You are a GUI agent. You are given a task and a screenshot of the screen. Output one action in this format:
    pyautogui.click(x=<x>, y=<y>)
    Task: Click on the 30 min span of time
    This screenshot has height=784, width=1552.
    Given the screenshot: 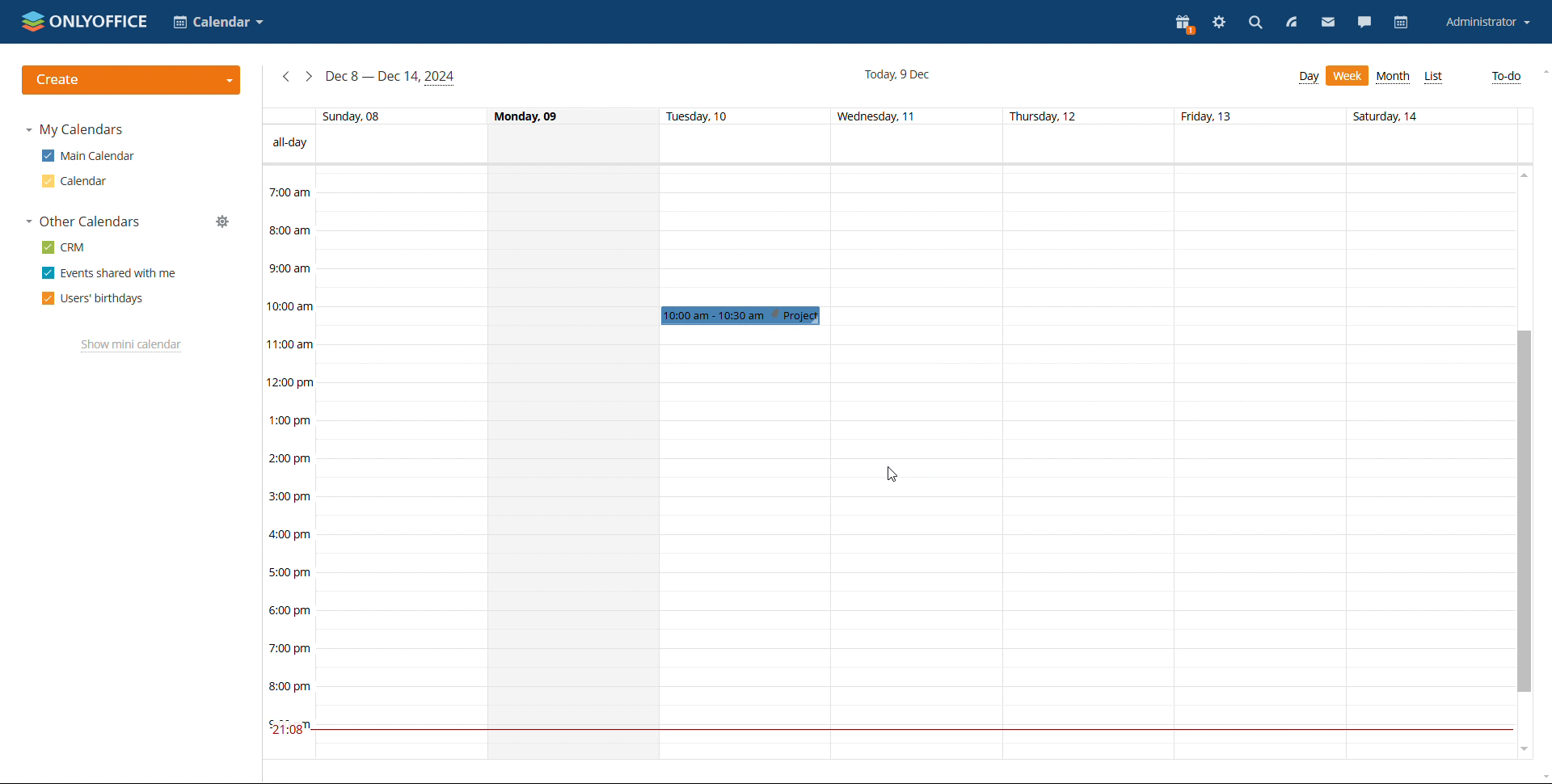 What is the action you would take?
    pyautogui.click(x=913, y=241)
    